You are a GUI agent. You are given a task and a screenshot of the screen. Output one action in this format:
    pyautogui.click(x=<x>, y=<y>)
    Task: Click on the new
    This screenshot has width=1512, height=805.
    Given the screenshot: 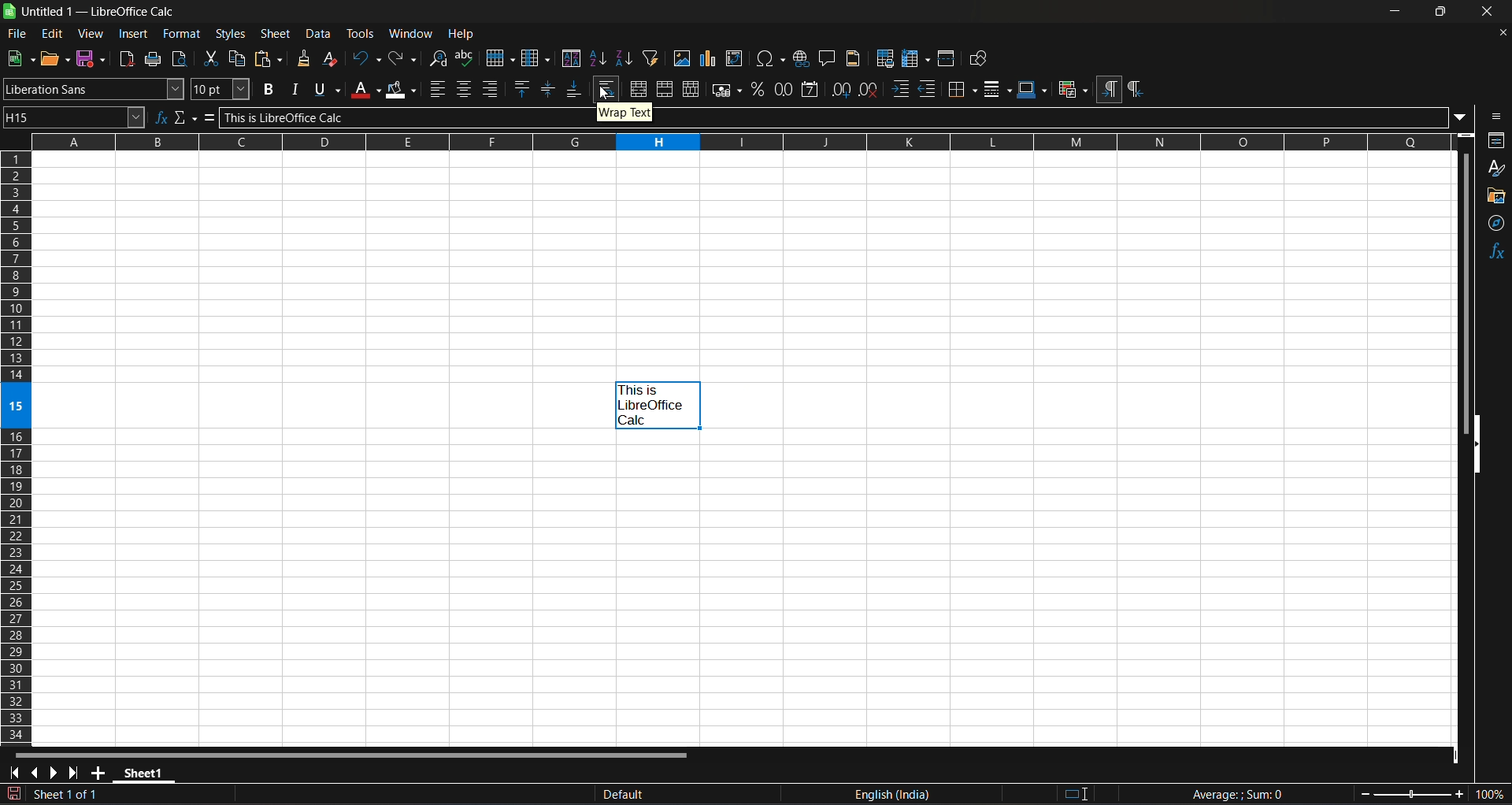 What is the action you would take?
    pyautogui.click(x=20, y=58)
    